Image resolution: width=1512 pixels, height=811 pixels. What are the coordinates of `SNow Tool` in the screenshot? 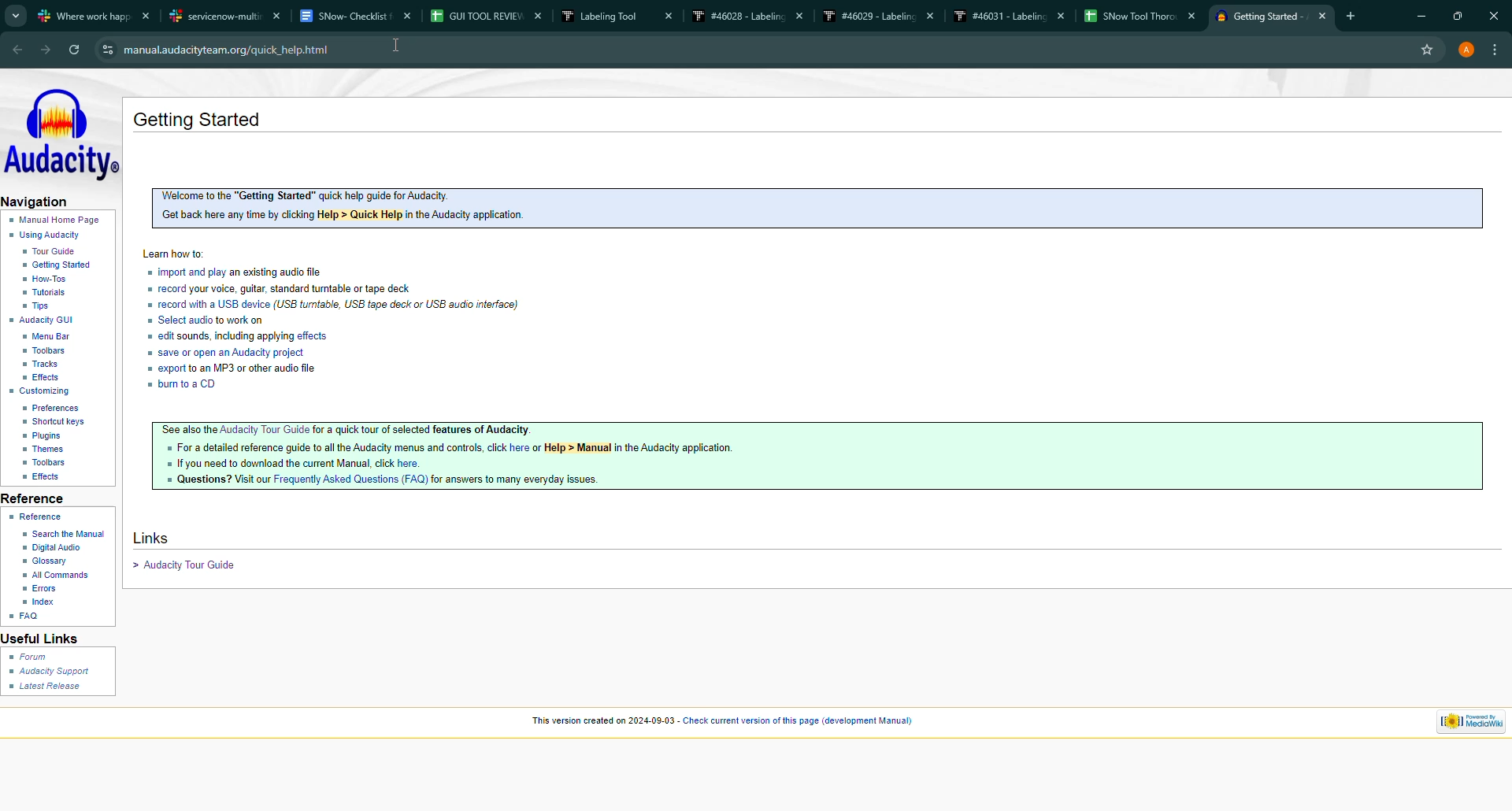 It's located at (1136, 17).